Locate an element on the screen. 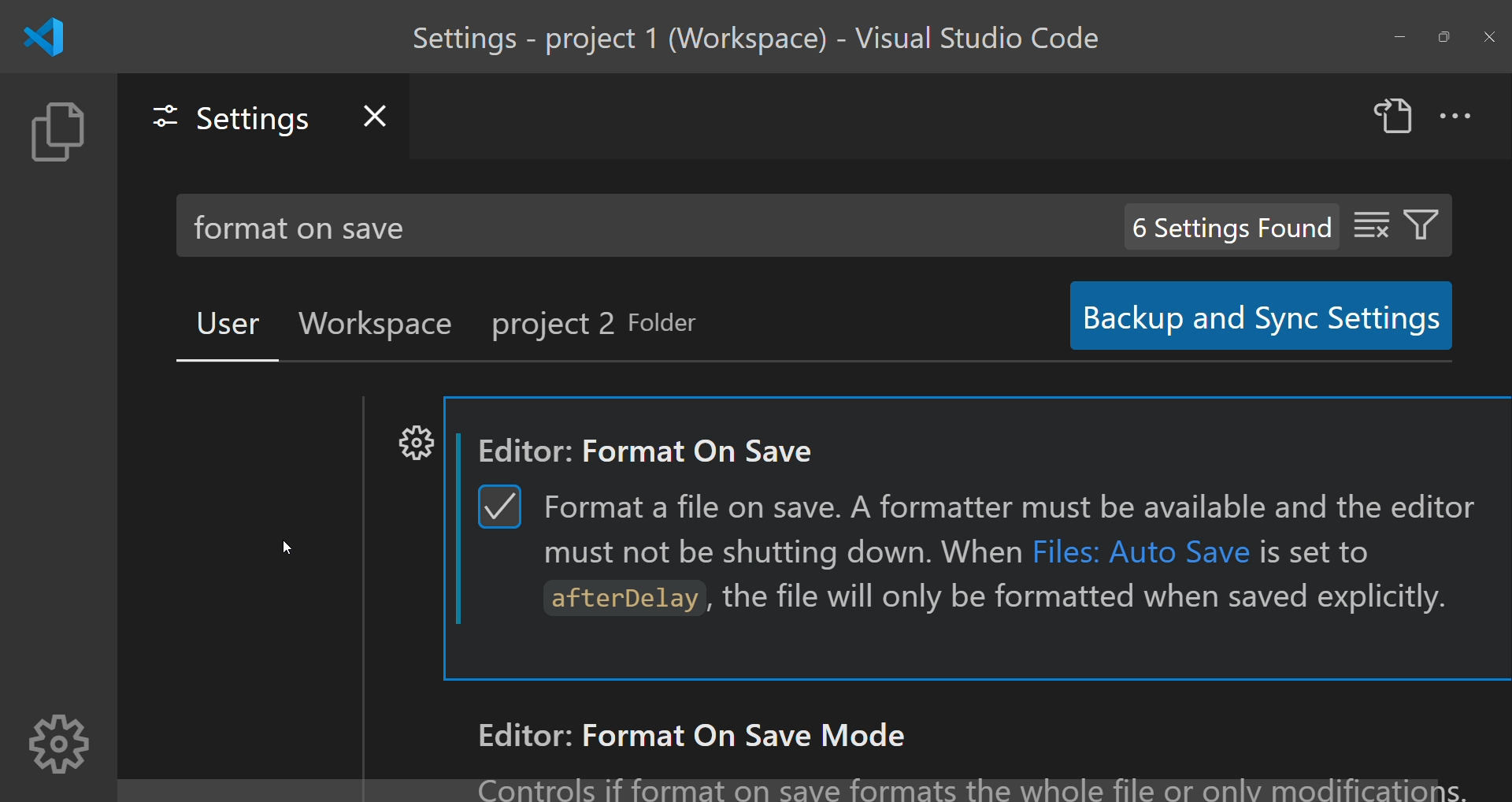 The height and width of the screenshot is (802, 1512). explorer is located at coordinates (56, 134).